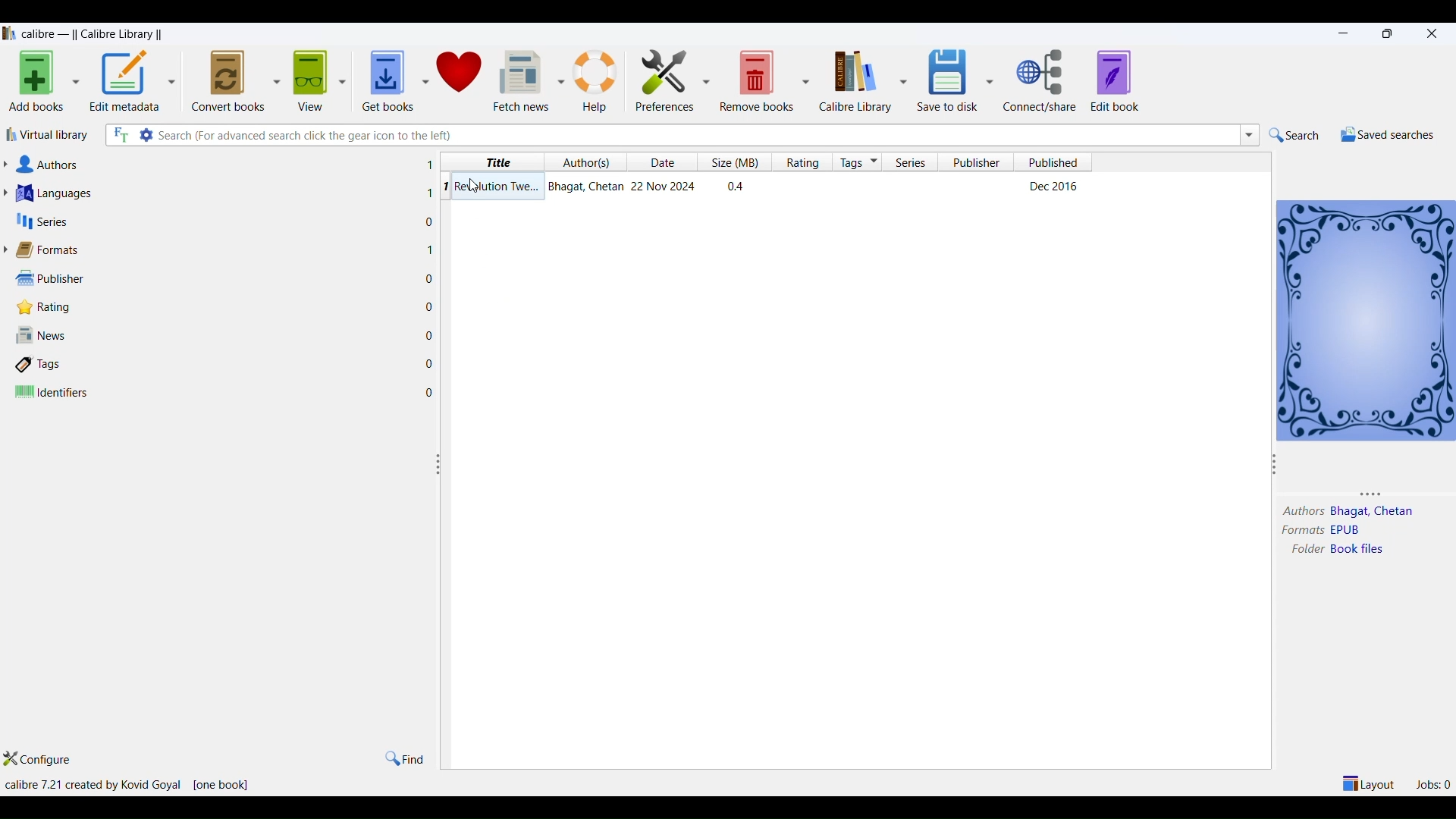 Image resolution: width=1456 pixels, height=819 pixels. Describe the element at coordinates (661, 74) in the screenshot. I see `preferences` at that location.